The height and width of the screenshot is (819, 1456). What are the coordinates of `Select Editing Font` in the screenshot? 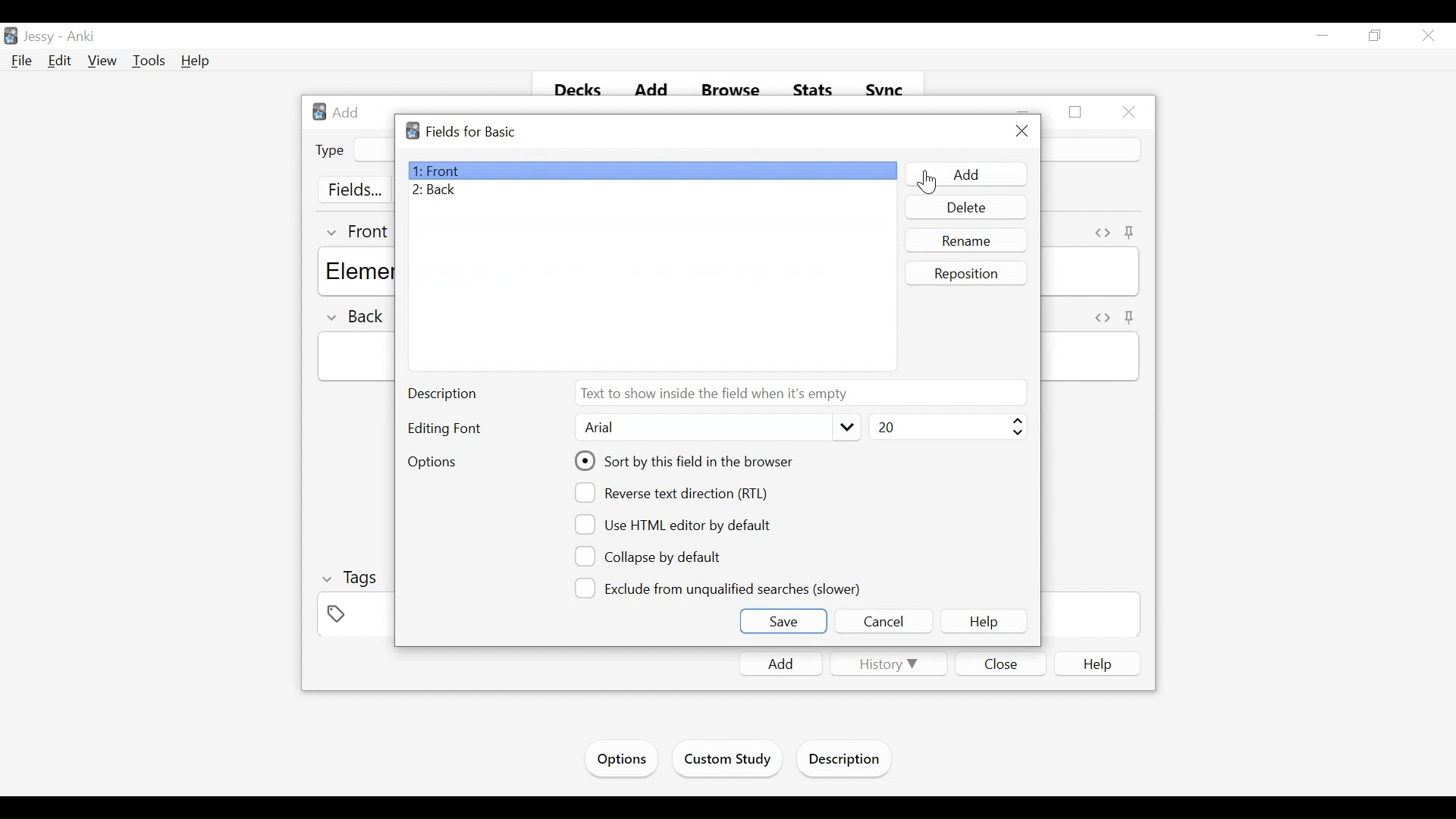 It's located at (718, 428).